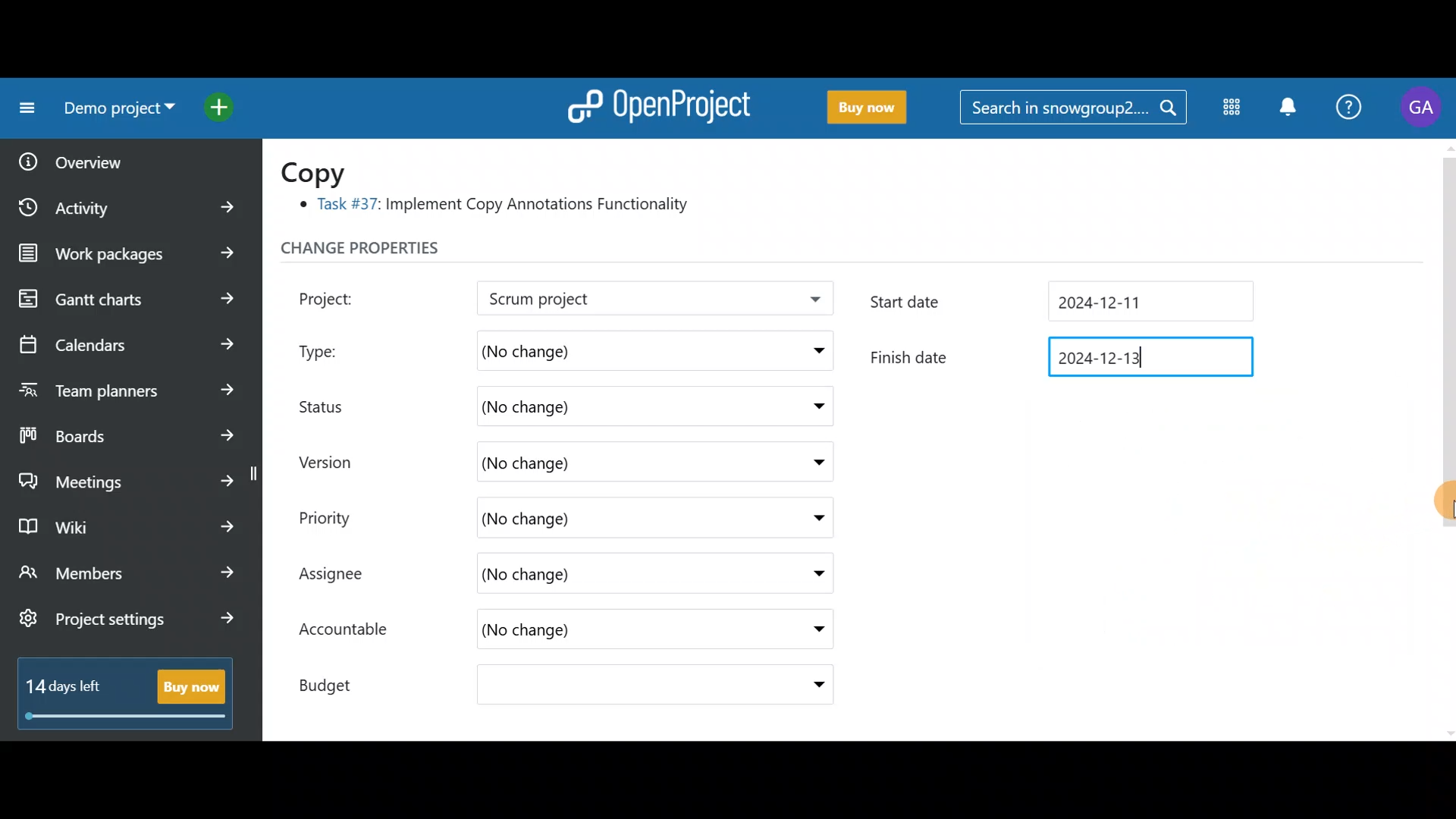  What do you see at coordinates (128, 431) in the screenshot?
I see `Boards` at bounding box center [128, 431].